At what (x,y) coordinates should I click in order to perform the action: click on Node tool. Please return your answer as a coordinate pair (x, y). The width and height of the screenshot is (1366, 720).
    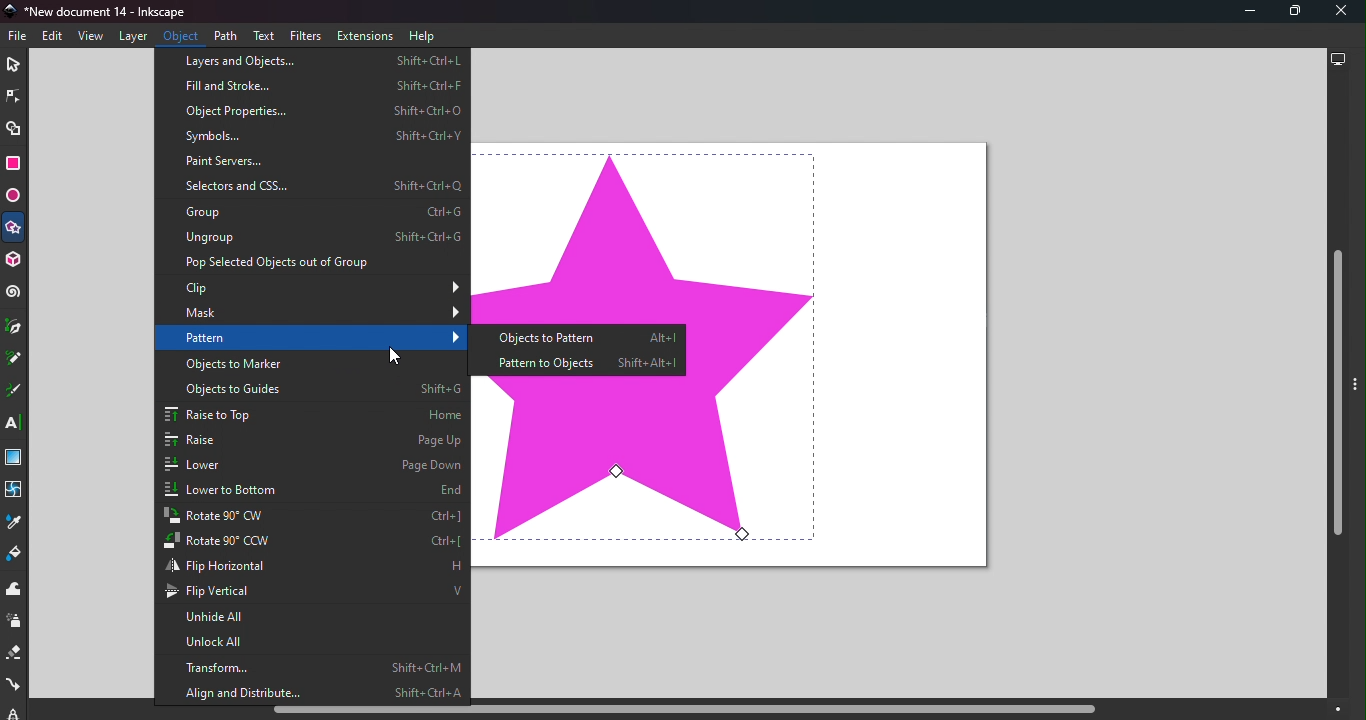
    Looking at the image, I should click on (12, 96).